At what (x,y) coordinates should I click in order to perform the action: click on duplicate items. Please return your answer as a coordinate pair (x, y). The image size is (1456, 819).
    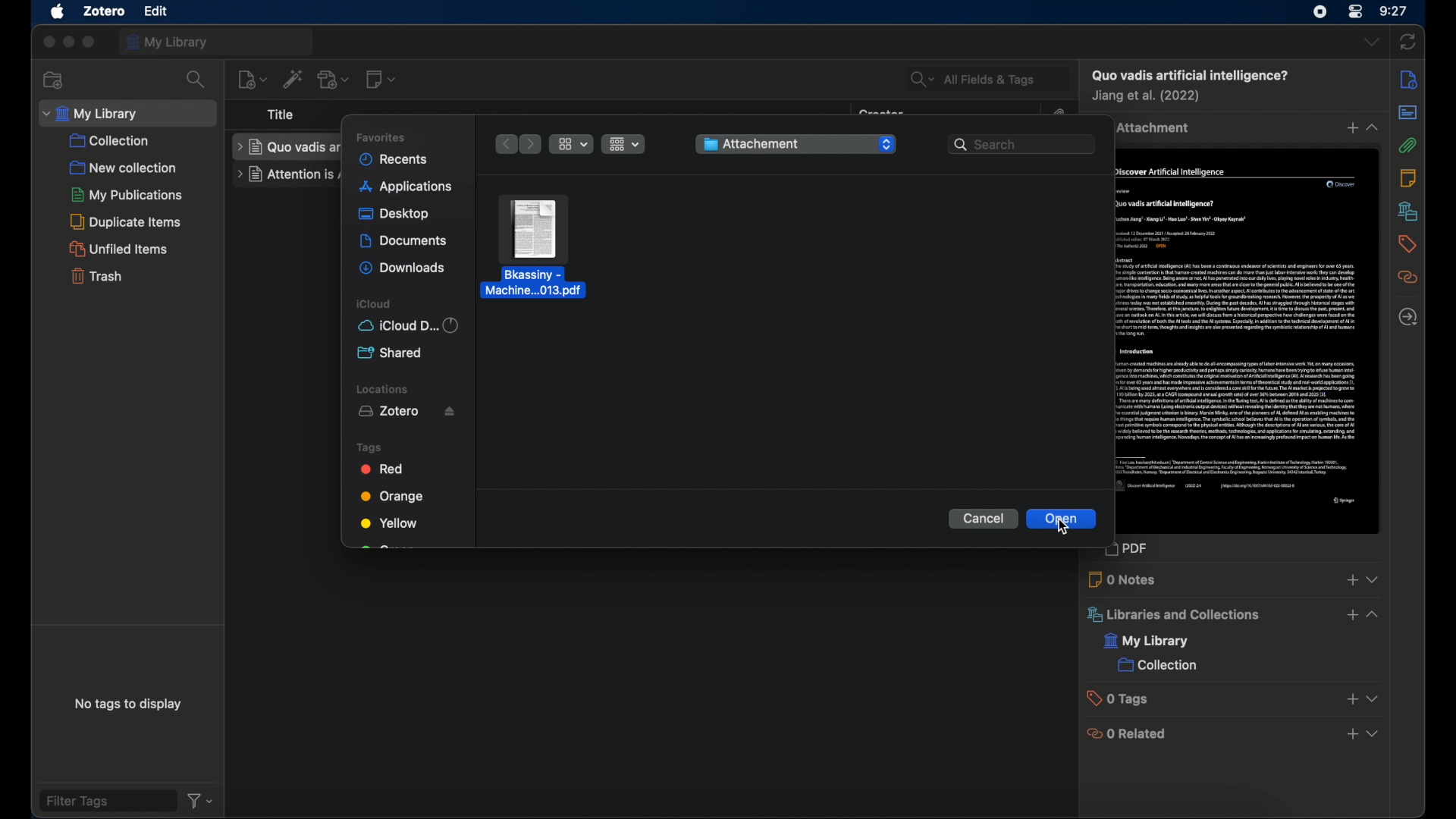
    Looking at the image, I should click on (129, 221).